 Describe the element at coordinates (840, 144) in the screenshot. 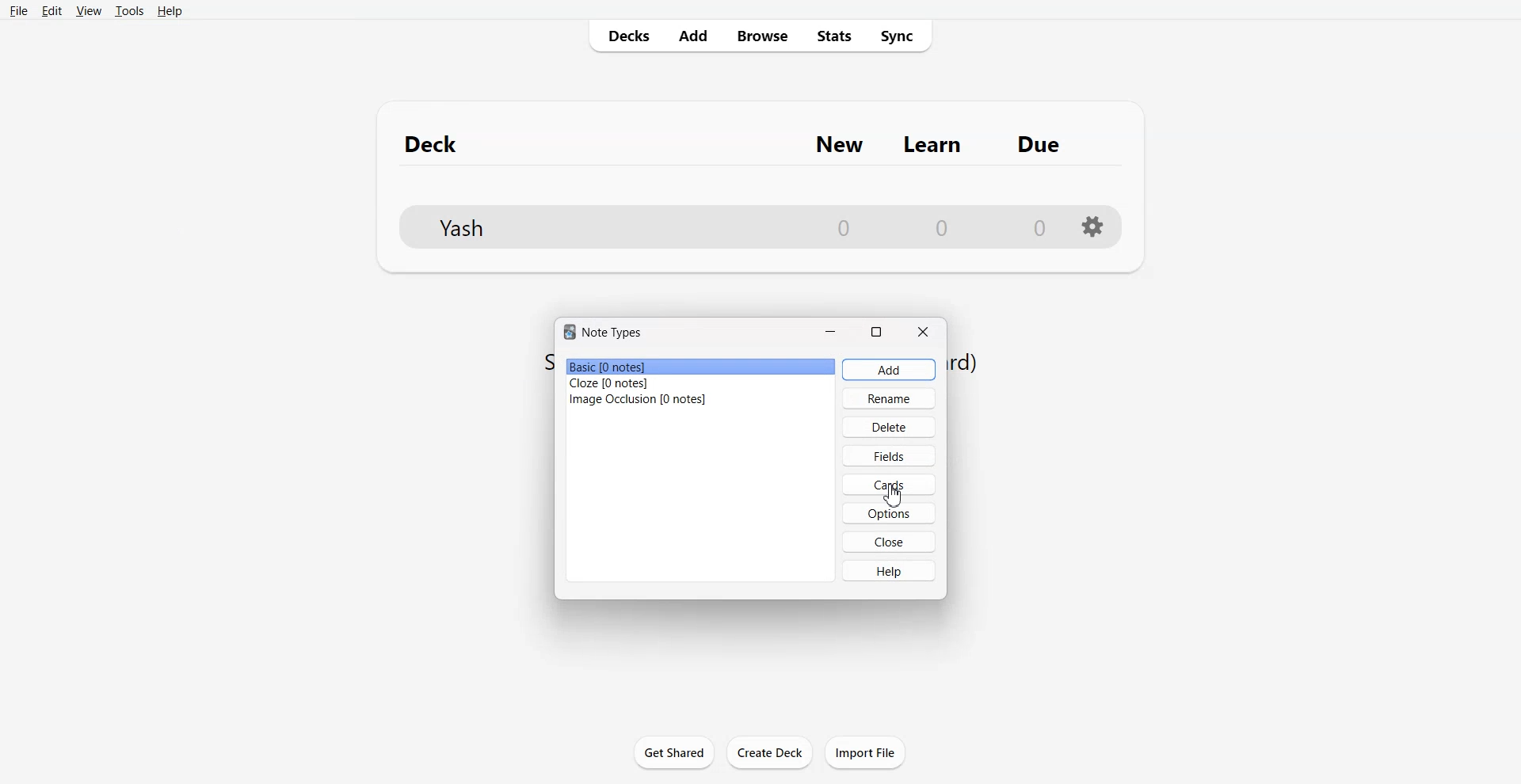

I see `New` at that location.